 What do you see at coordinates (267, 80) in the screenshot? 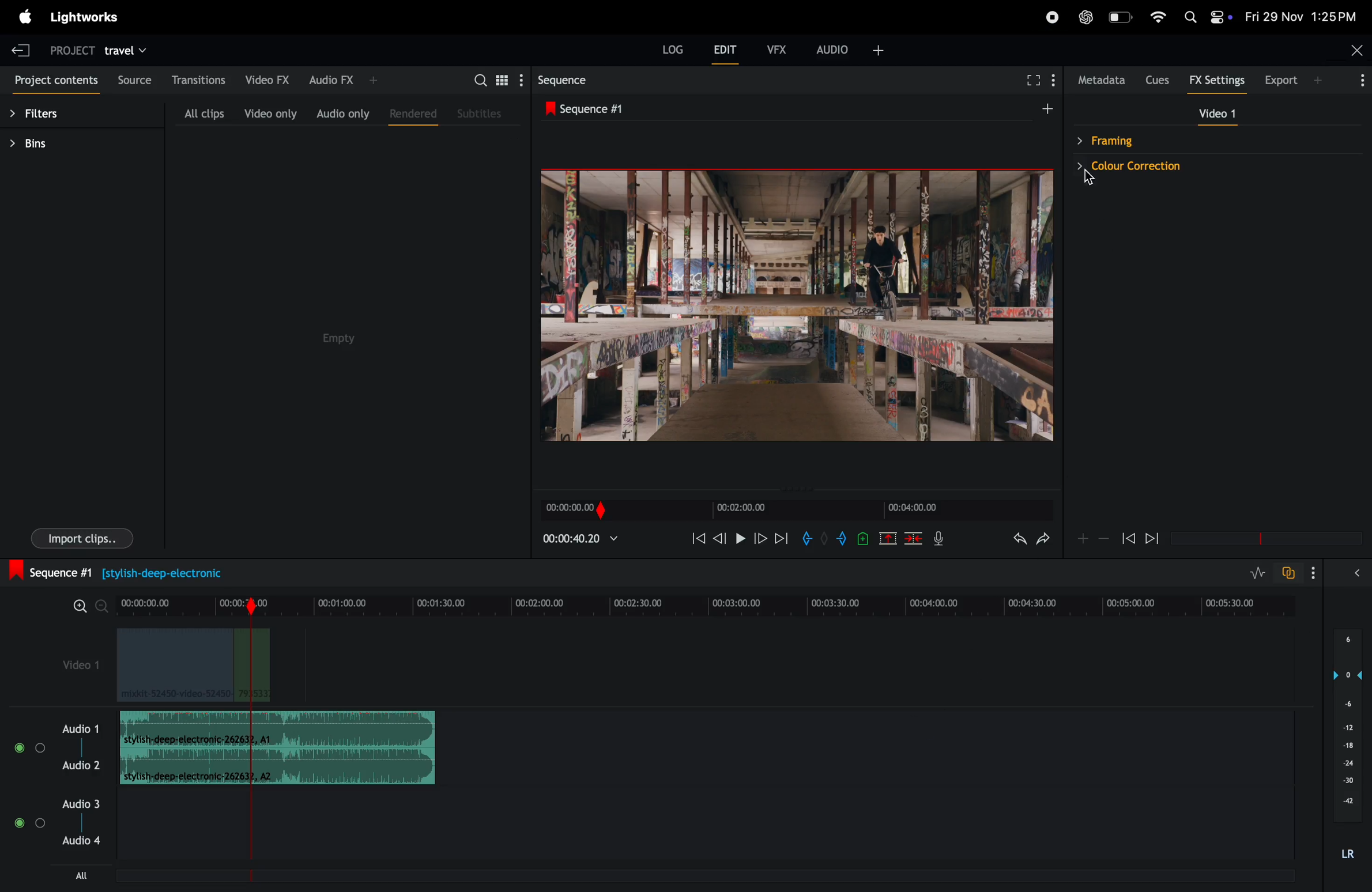
I see `video fx` at bounding box center [267, 80].